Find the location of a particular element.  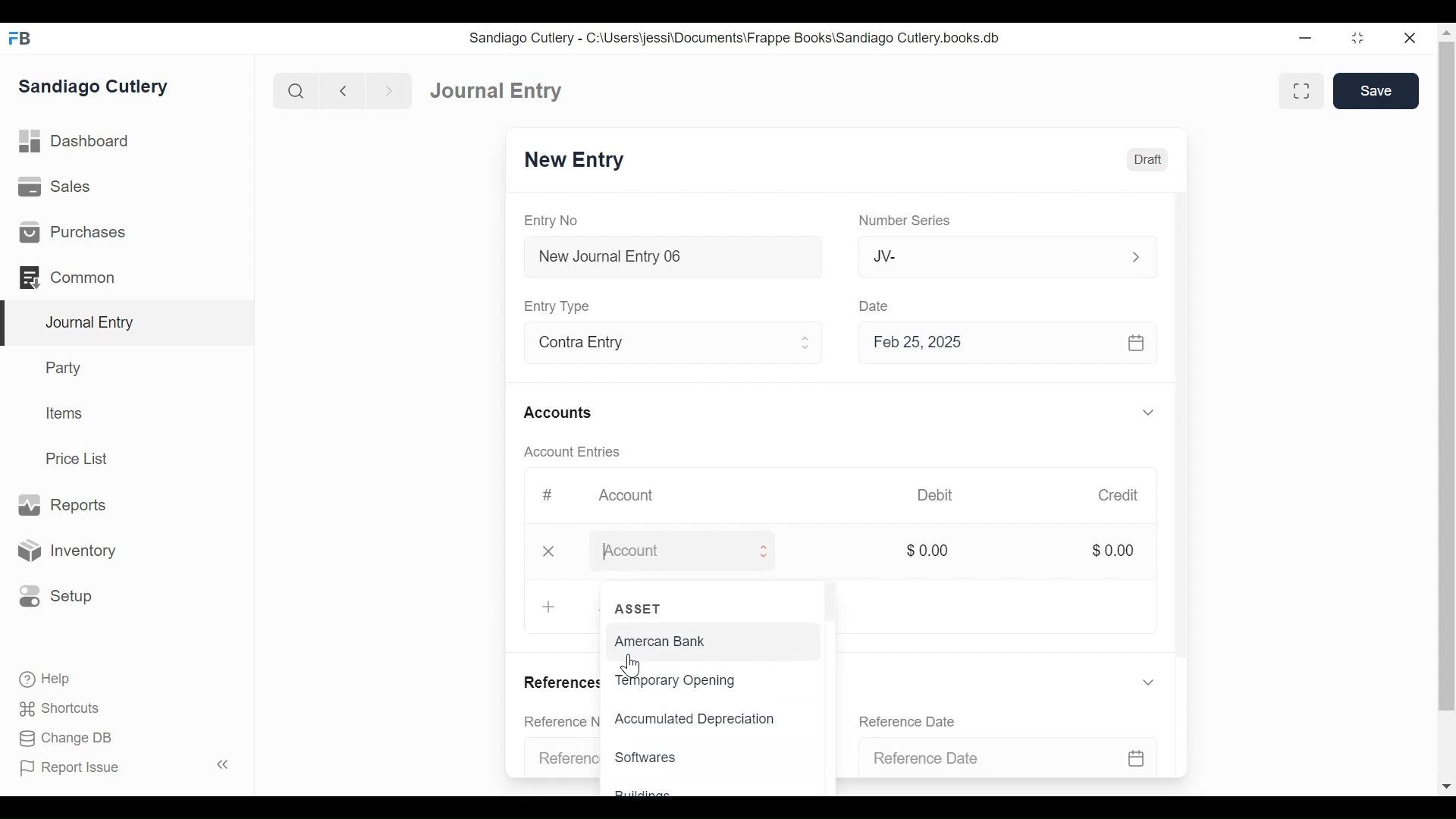

$0.00 is located at coordinates (930, 551).